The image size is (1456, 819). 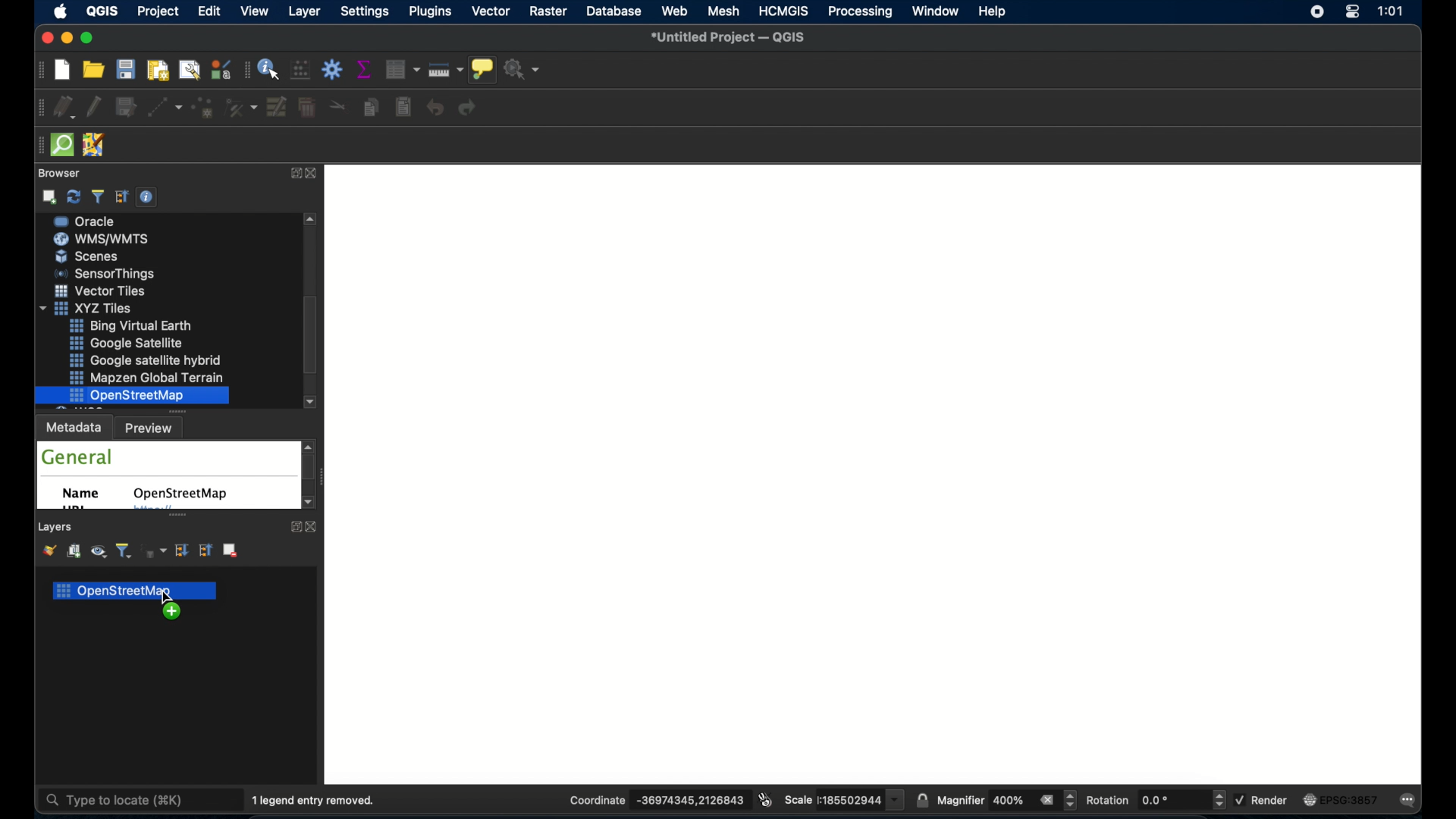 I want to click on copy features, so click(x=369, y=108).